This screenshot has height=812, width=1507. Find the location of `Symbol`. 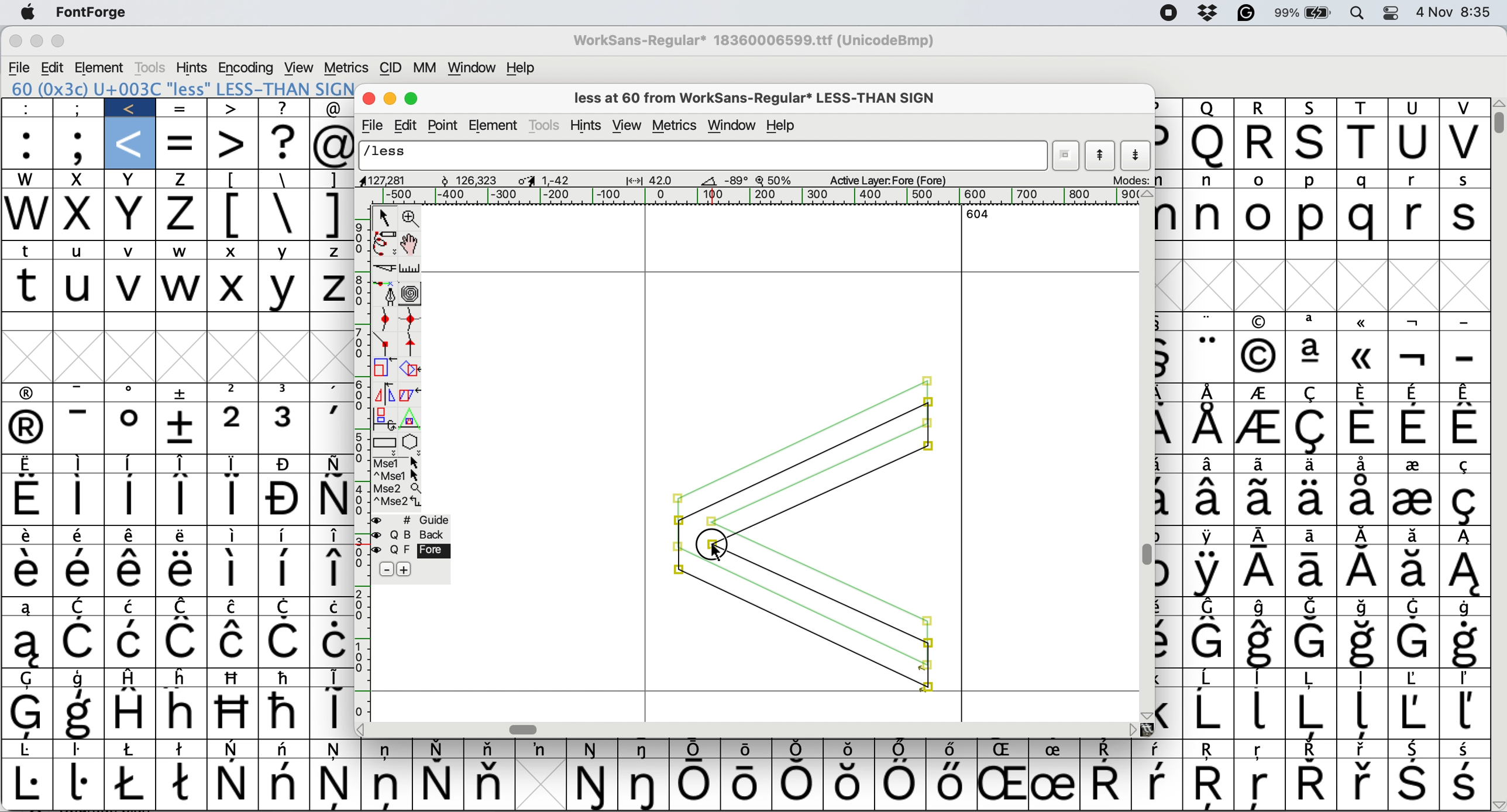

Symbol is located at coordinates (131, 572).